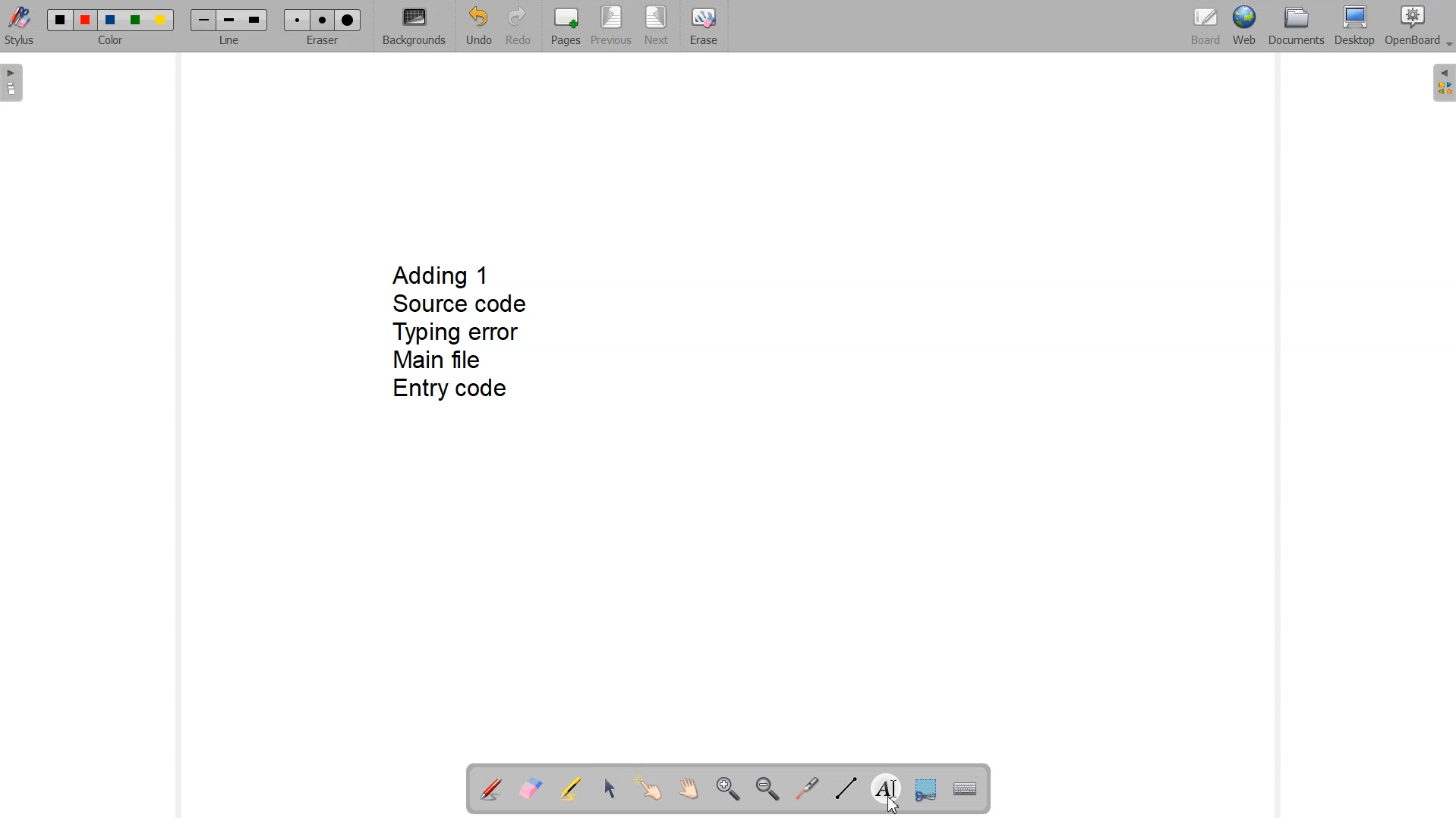  I want to click on Board, so click(1206, 27).